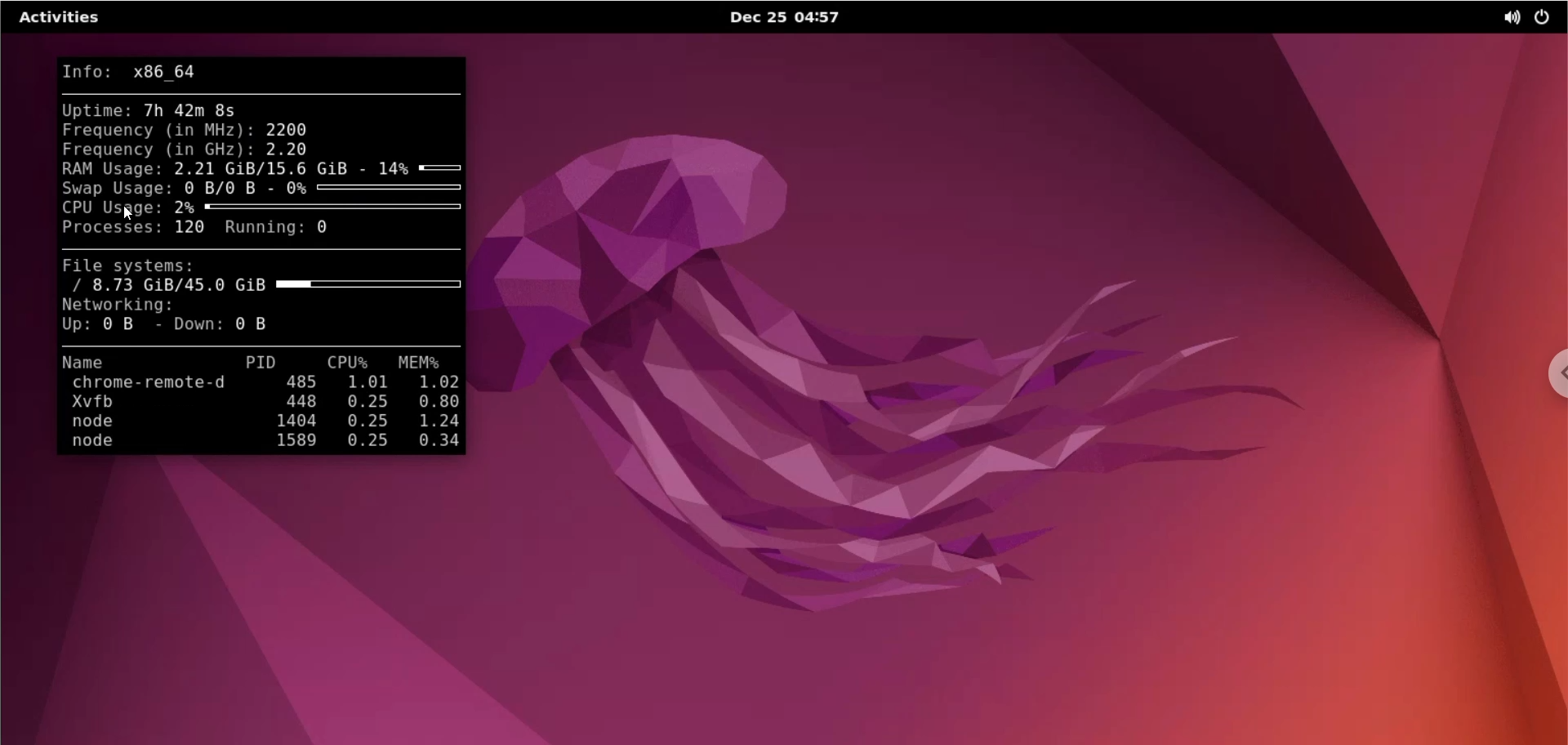 The width and height of the screenshot is (1568, 745). I want to click on CPU usage, so click(109, 207).